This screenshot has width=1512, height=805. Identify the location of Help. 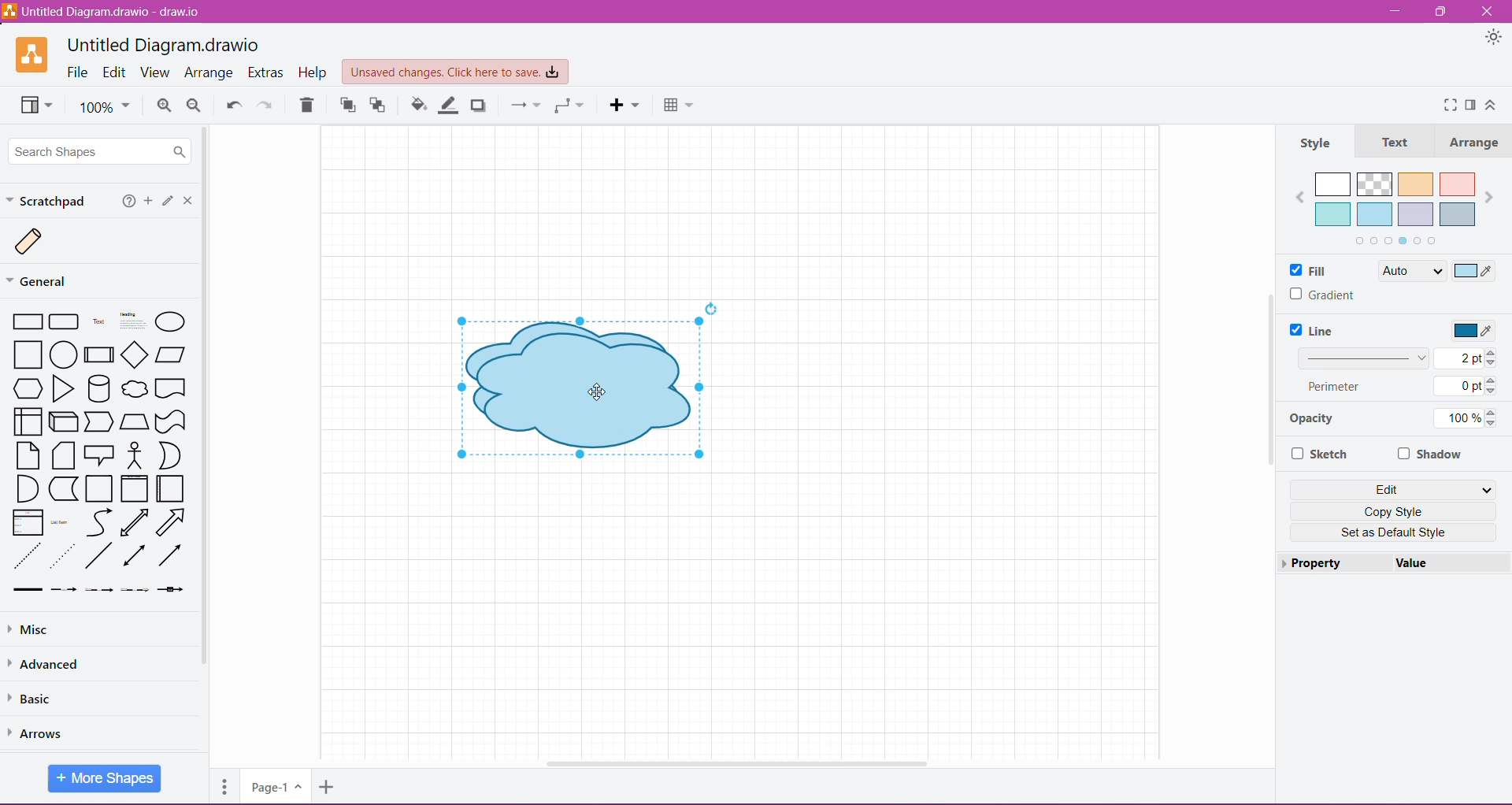
(314, 73).